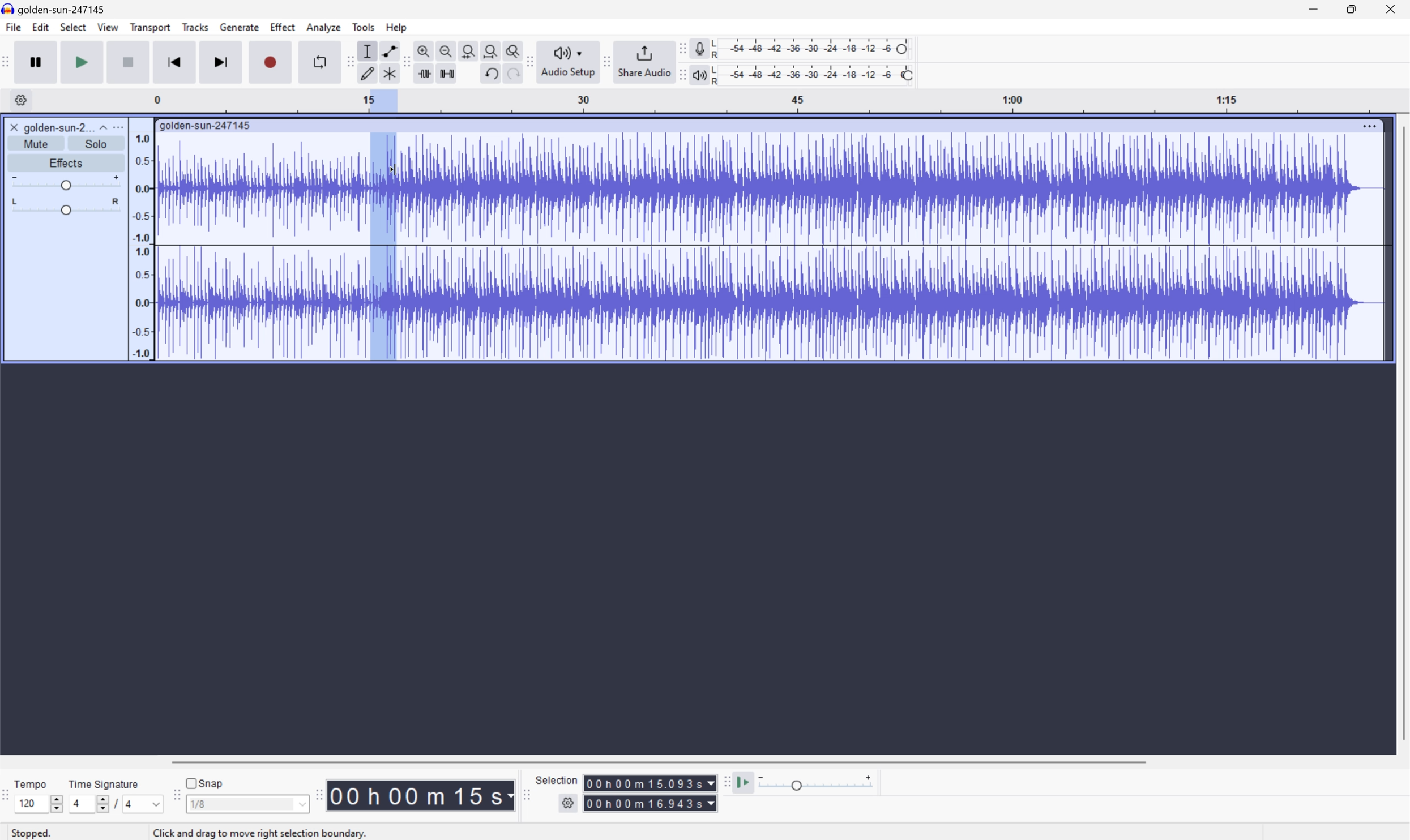 This screenshot has width=1410, height=840. What do you see at coordinates (493, 50) in the screenshot?
I see `Fit project to width` at bounding box center [493, 50].